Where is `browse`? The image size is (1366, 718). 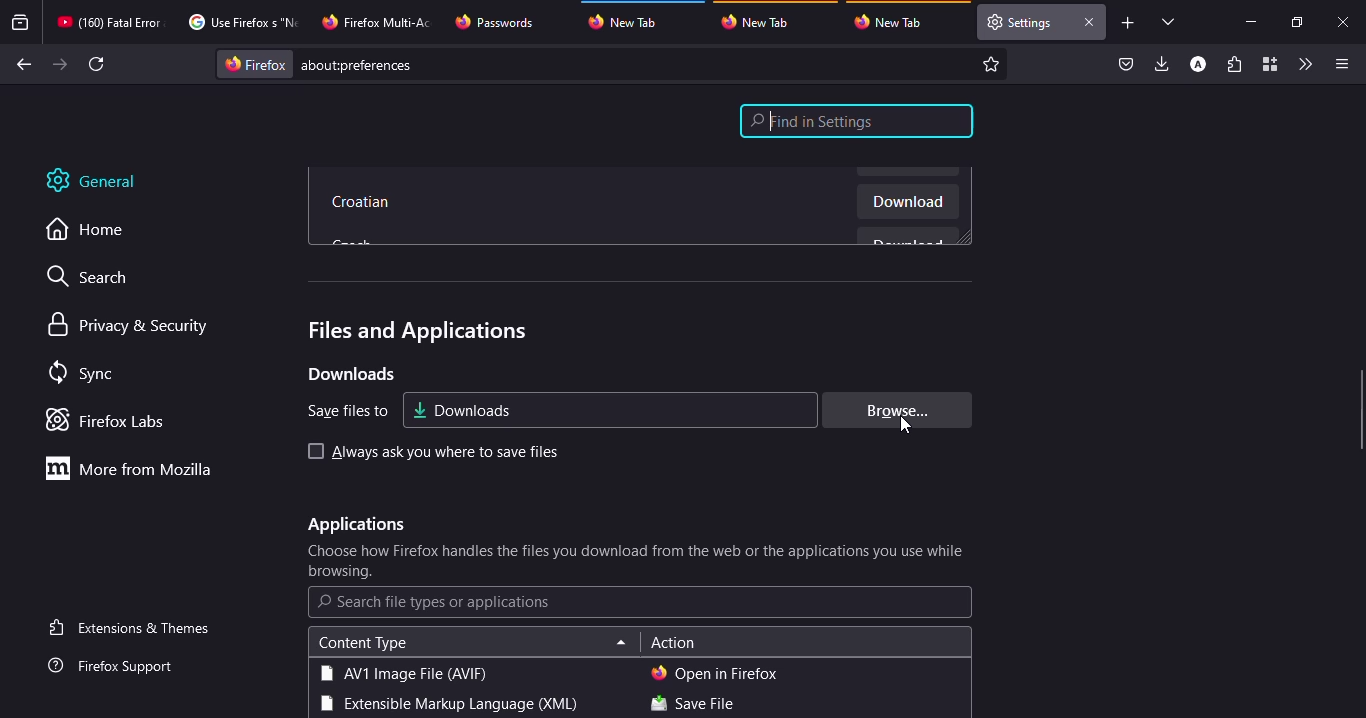
browse is located at coordinates (893, 410).